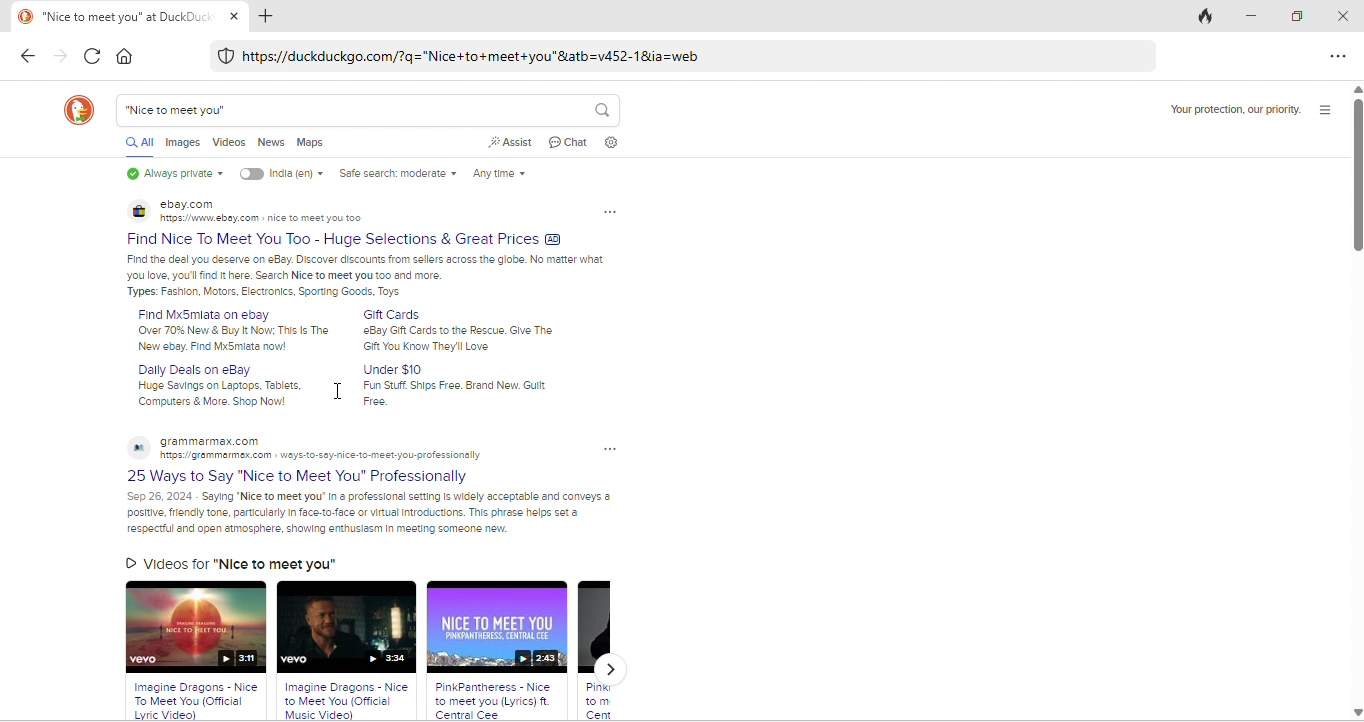 The height and width of the screenshot is (722, 1364). What do you see at coordinates (92, 55) in the screenshot?
I see `refresh` at bounding box center [92, 55].